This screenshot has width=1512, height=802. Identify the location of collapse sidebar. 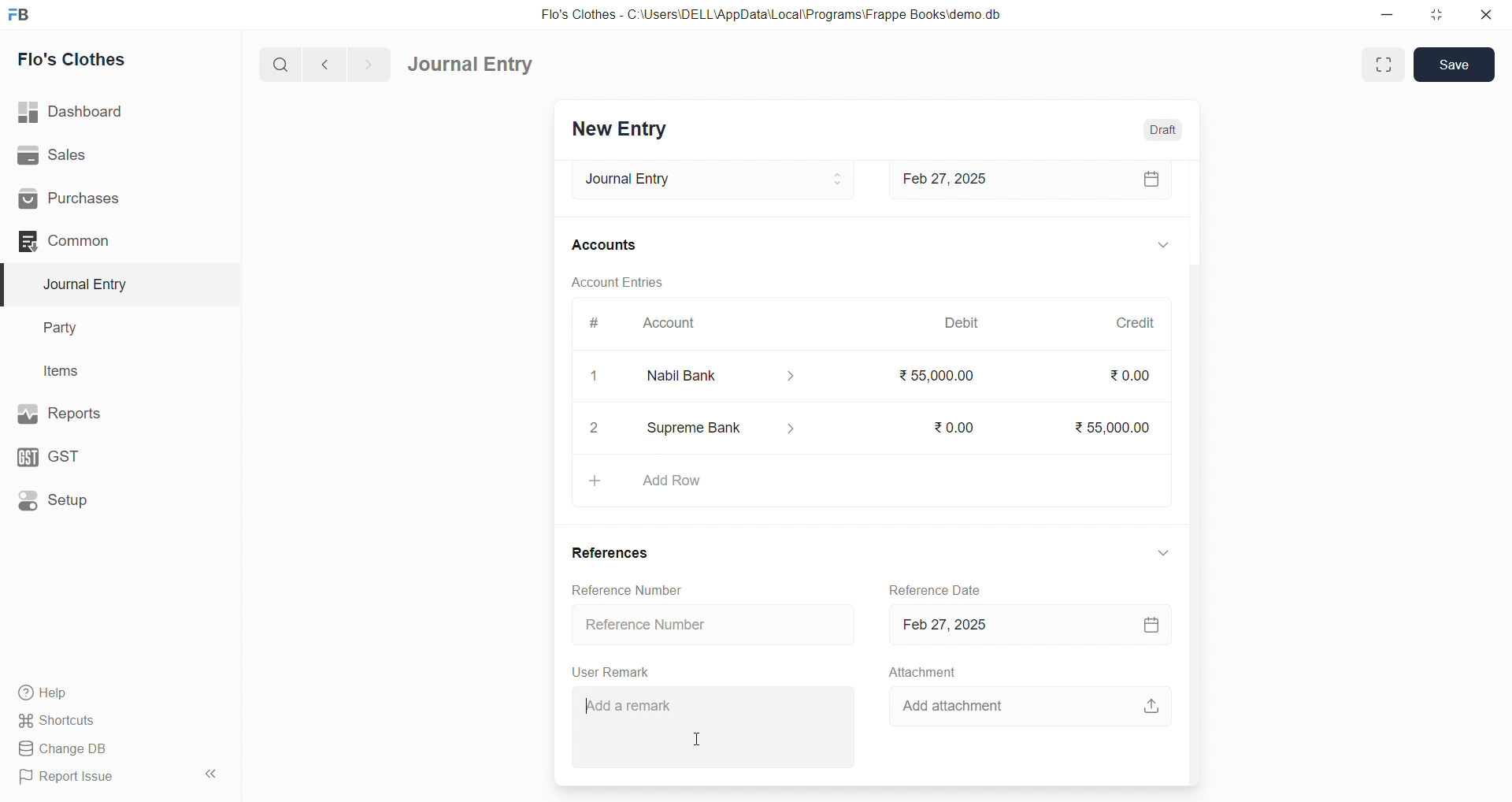
(213, 774).